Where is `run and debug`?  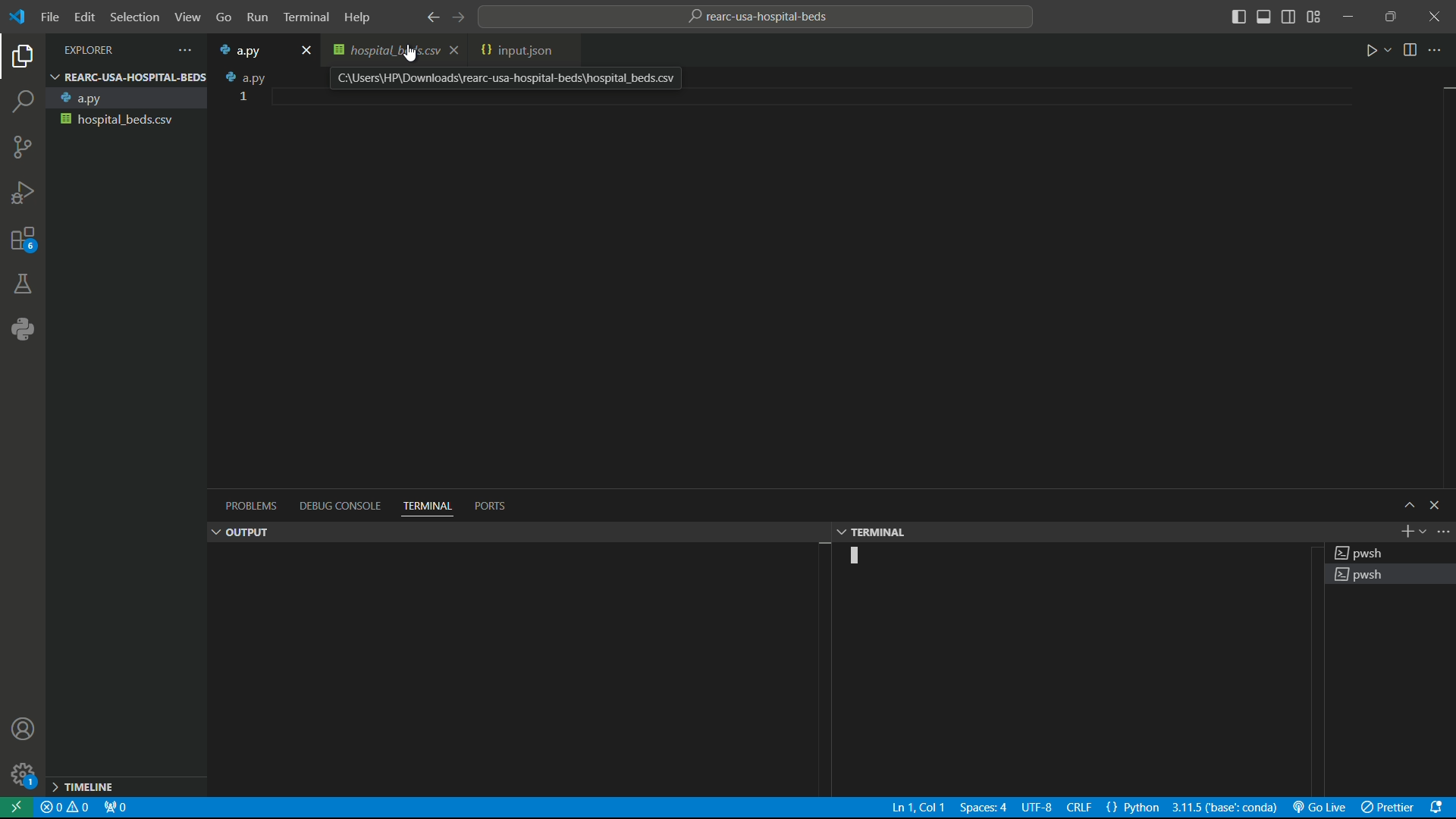 run and debug is located at coordinates (23, 190).